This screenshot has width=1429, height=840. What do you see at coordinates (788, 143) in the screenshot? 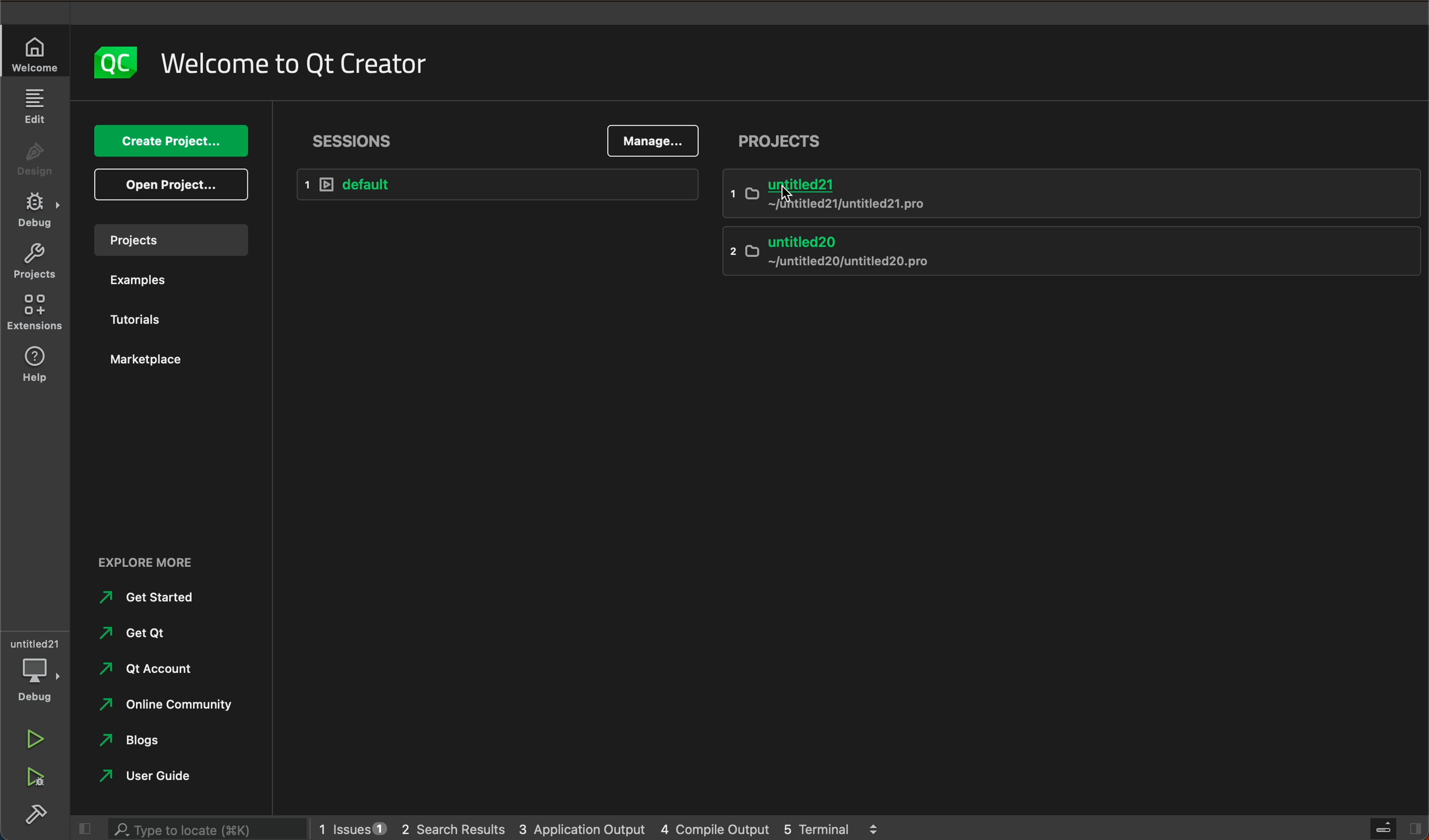
I see `projects` at bounding box center [788, 143].